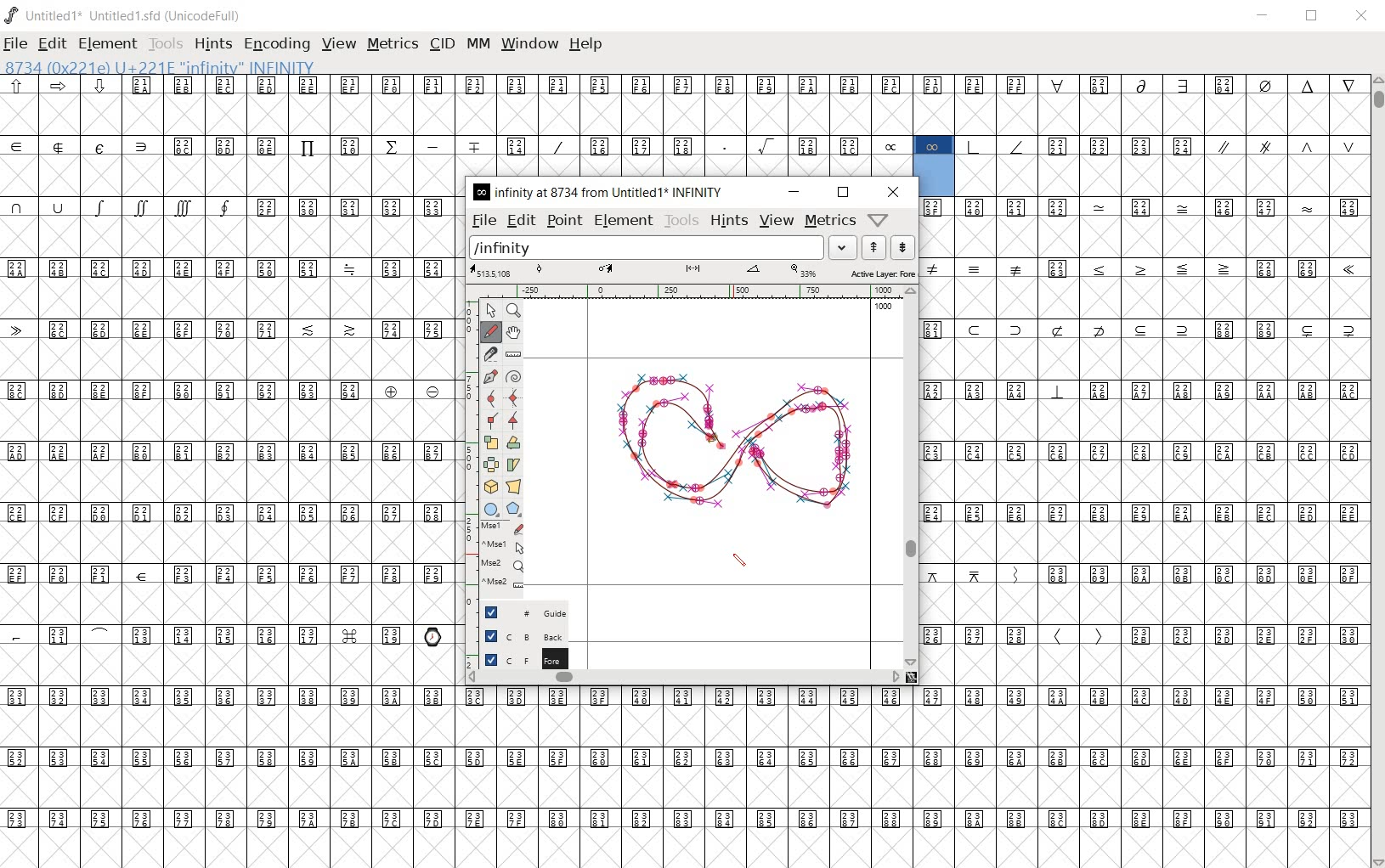 The height and width of the screenshot is (868, 1385). What do you see at coordinates (663, 247) in the screenshot?
I see `load word list` at bounding box center [663, 247].